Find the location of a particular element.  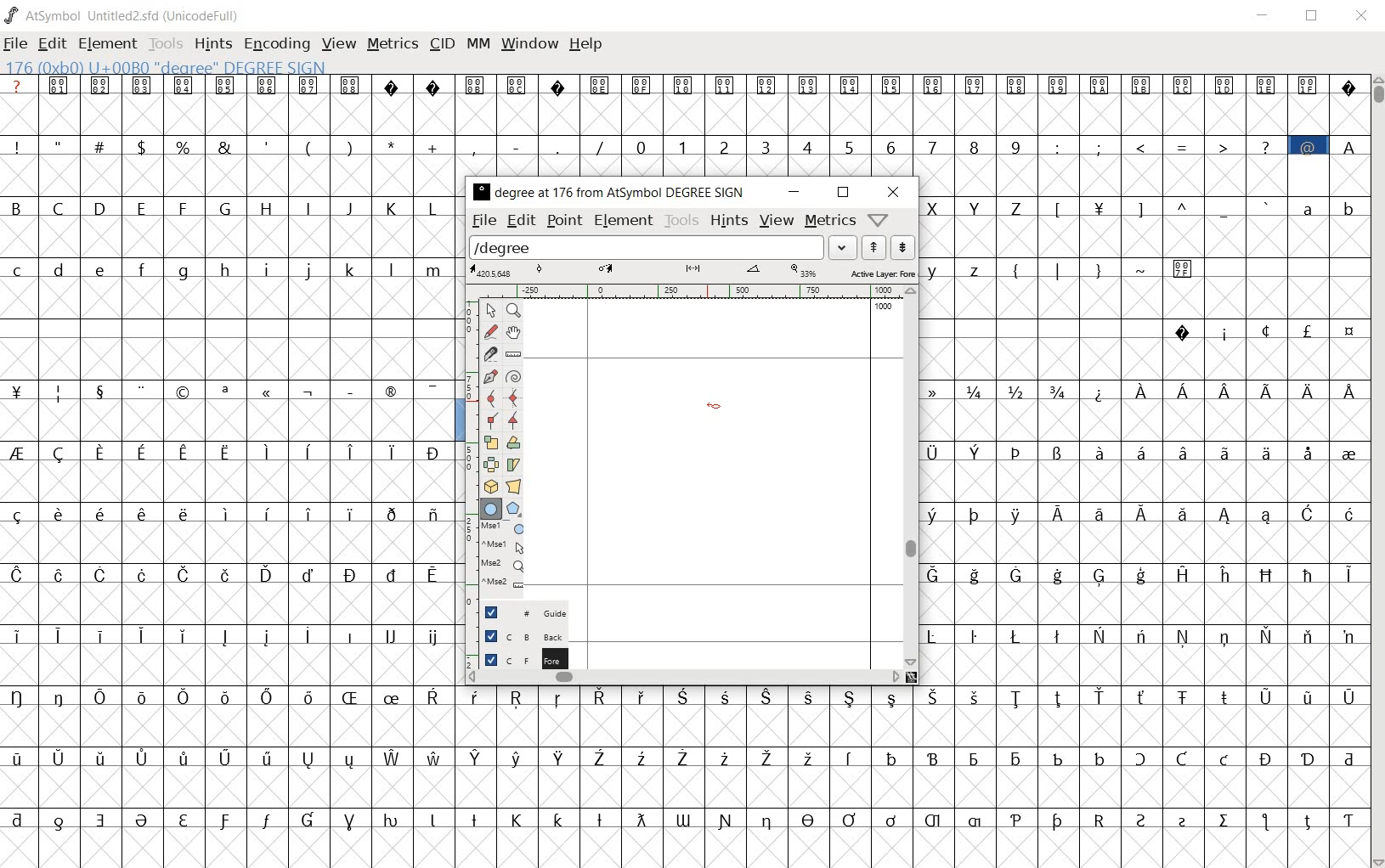

perform a perspective transformation on the selection is located at coordinates (513, 486).